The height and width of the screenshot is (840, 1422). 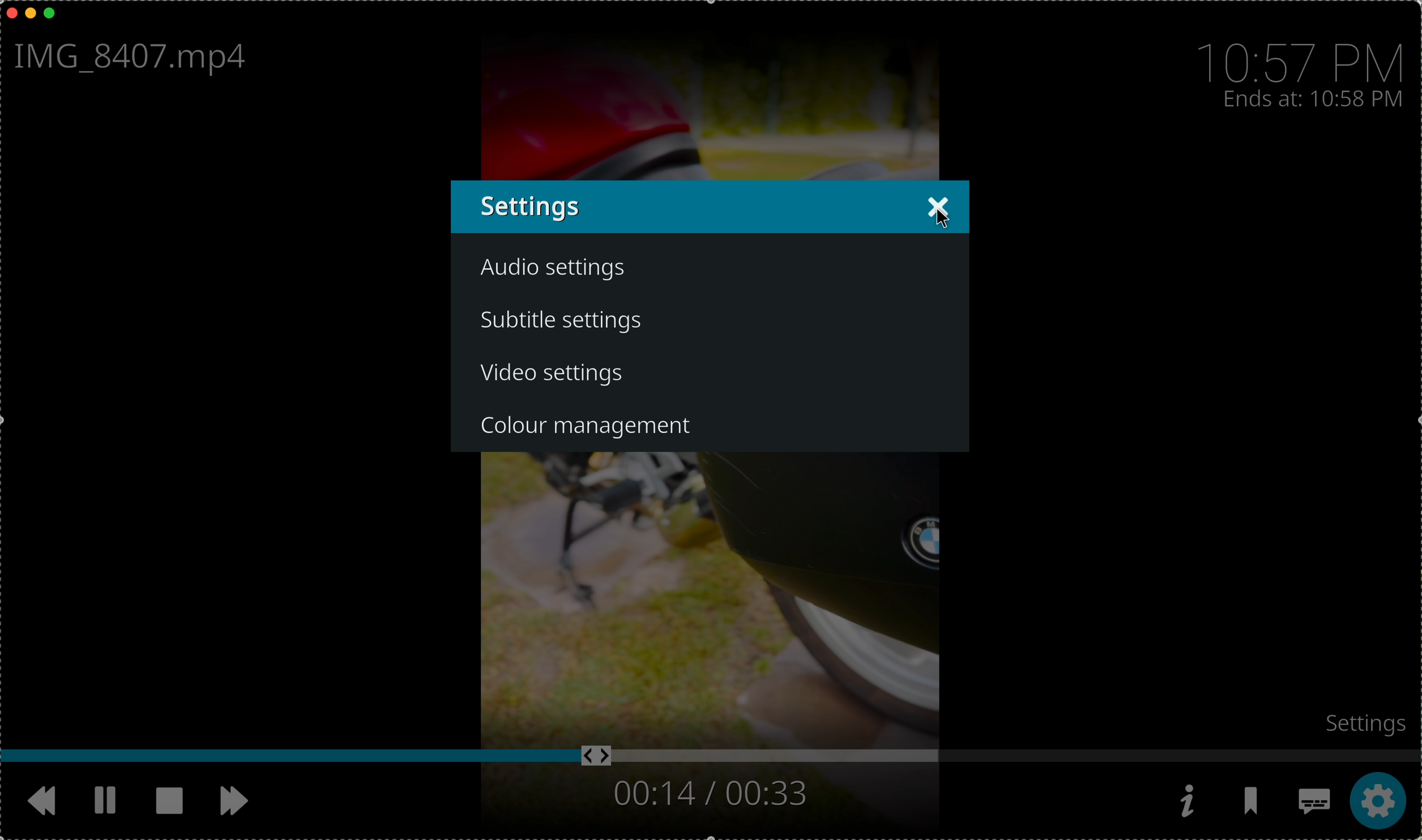 What do you see at coordinates (1375, 802) in the screenshot?
I see `click on settings` at bounding box center [1375, 802].